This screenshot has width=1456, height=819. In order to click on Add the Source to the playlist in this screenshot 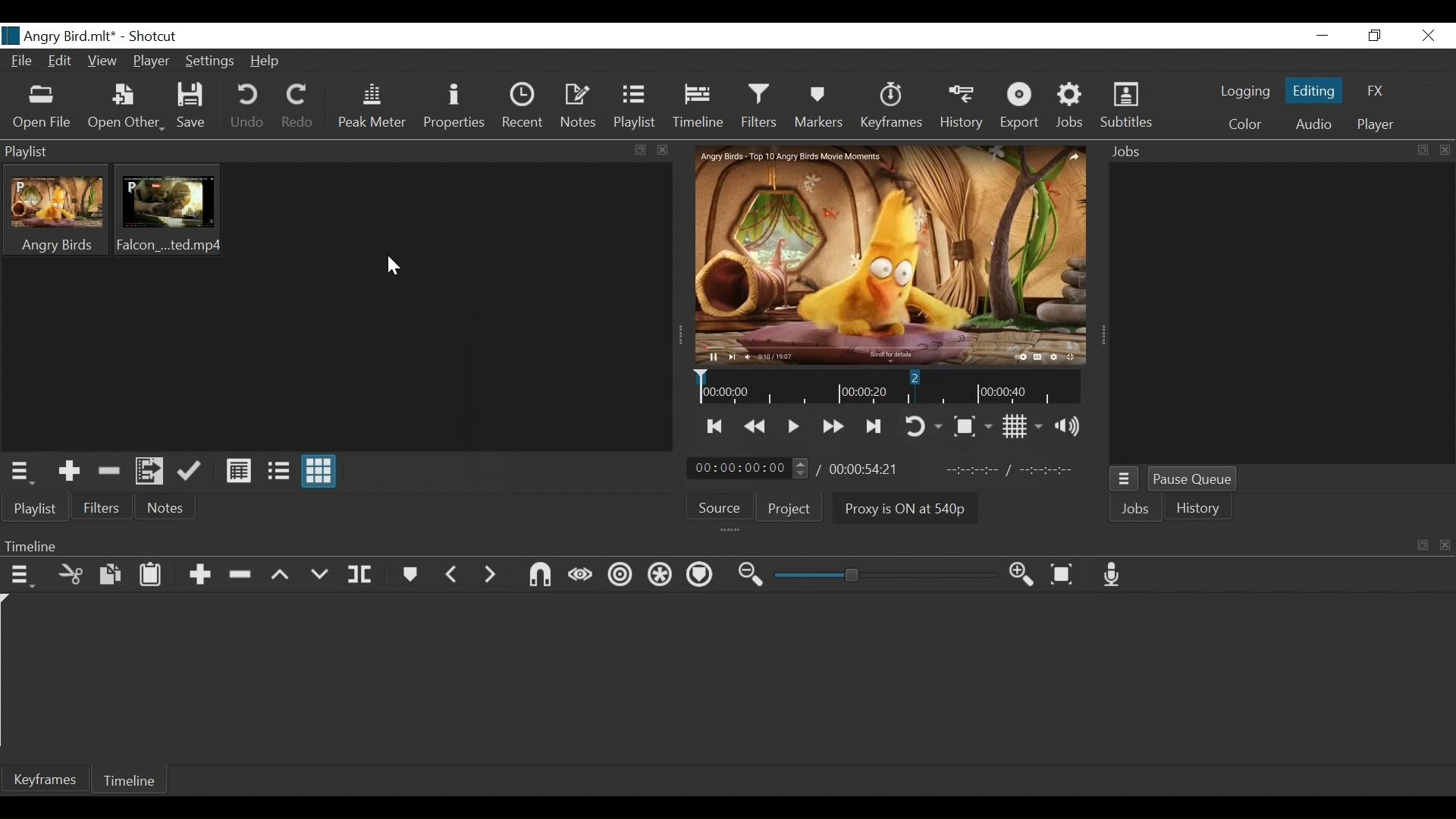, I will do `click(67, 471)`.